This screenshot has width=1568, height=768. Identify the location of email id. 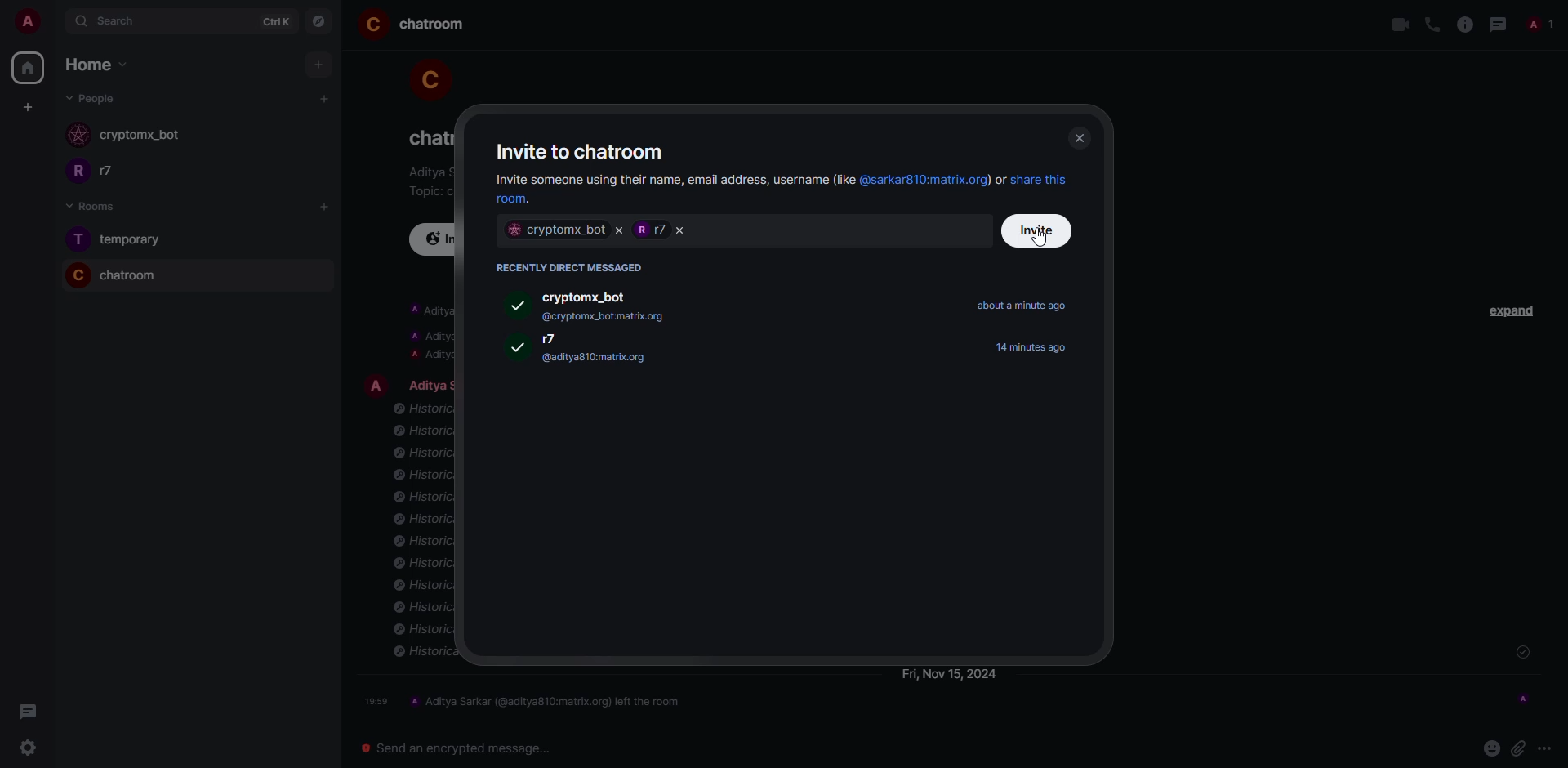
(611, 317).